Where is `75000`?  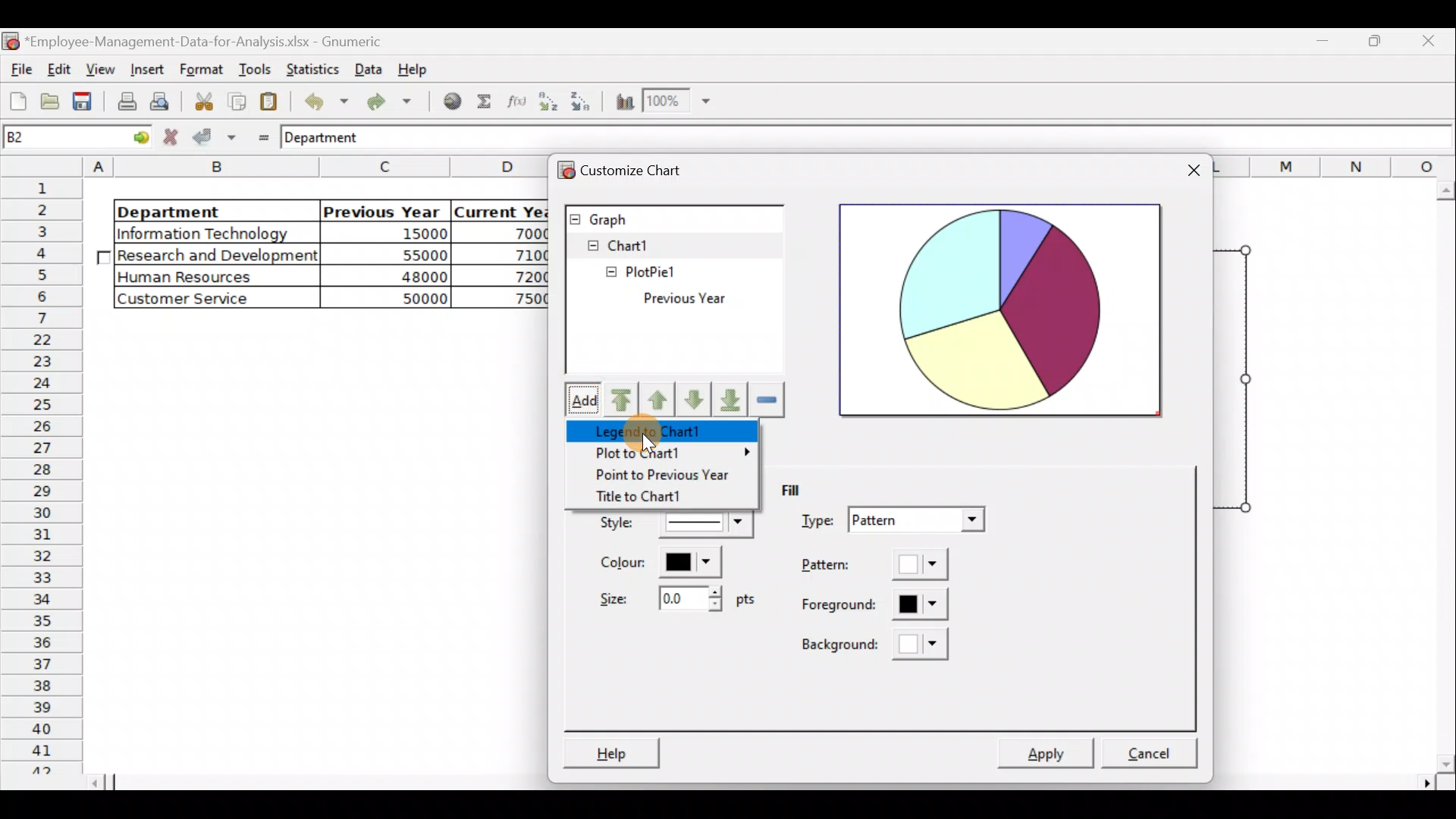 75000 is located at coordinates (513, 300).